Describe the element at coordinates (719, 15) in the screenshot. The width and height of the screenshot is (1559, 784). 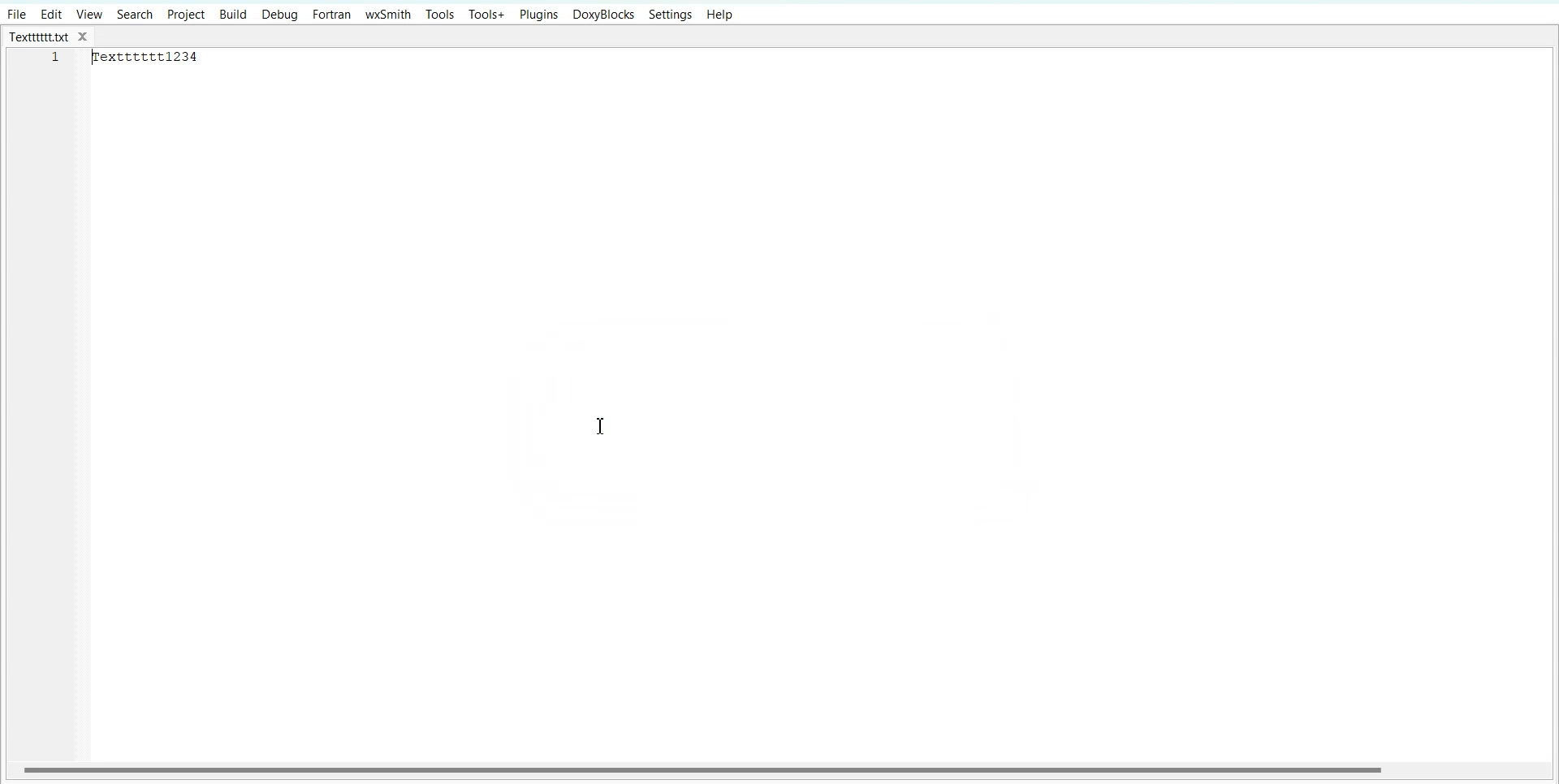
I see `Help` at that location.